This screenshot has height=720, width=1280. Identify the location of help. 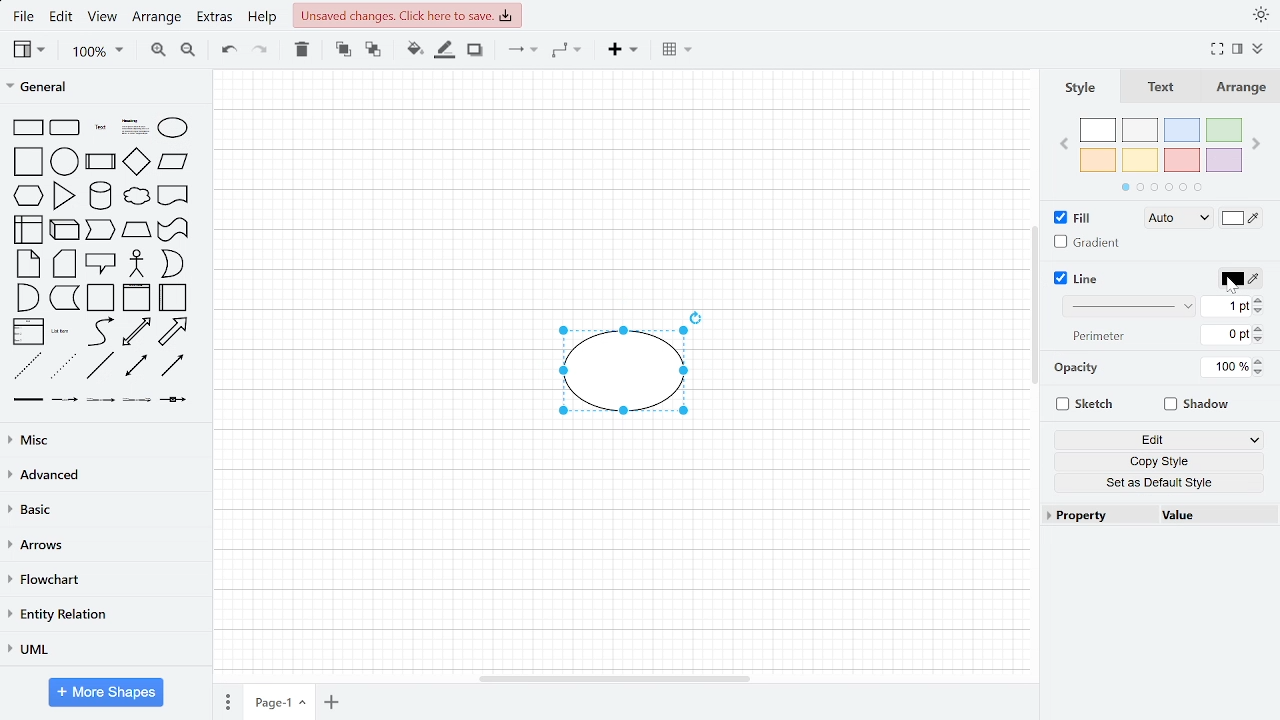
(262, 20).